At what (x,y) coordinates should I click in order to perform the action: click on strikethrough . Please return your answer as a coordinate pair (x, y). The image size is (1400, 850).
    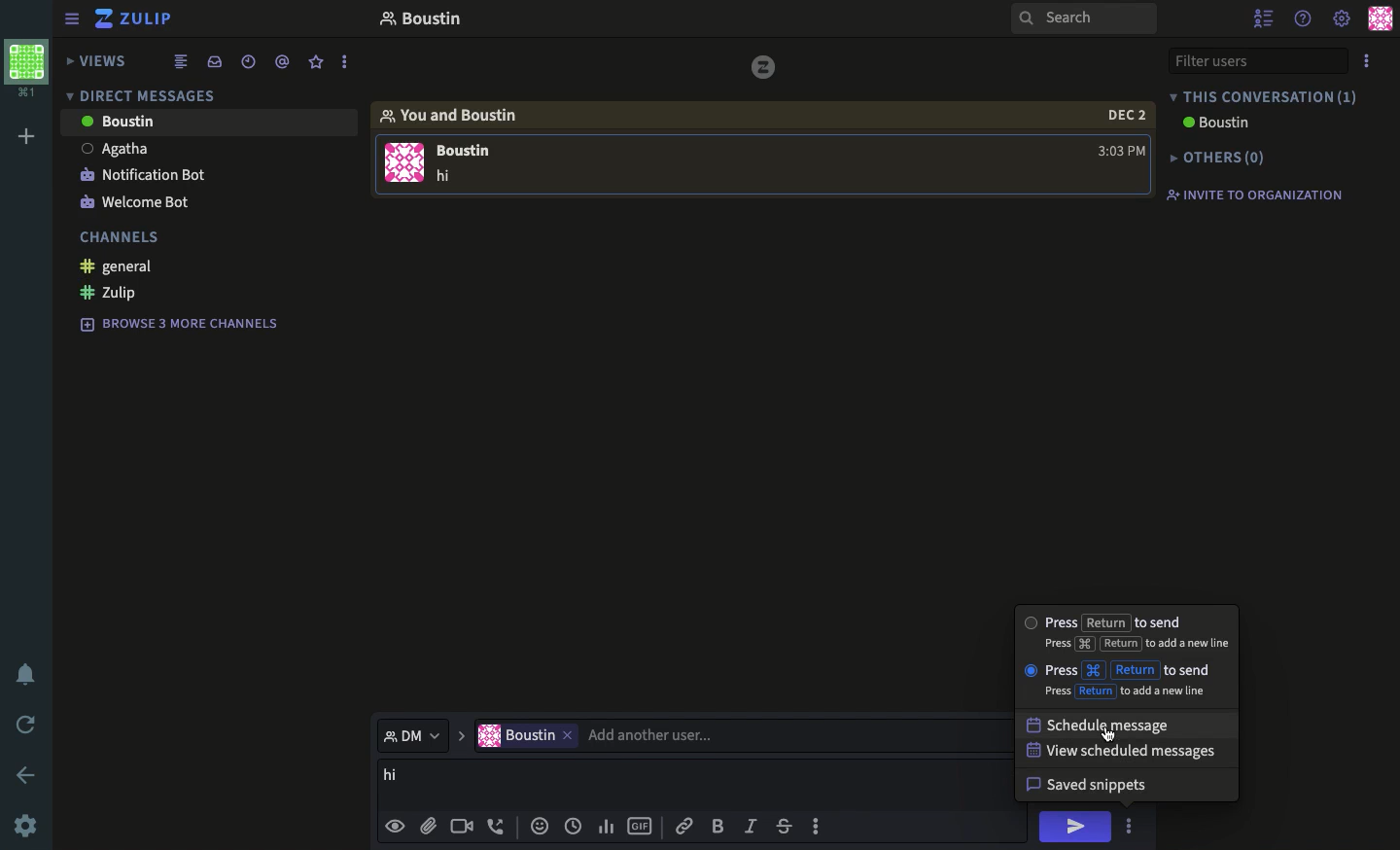
    Looking at the image, I should click on (787, 823).